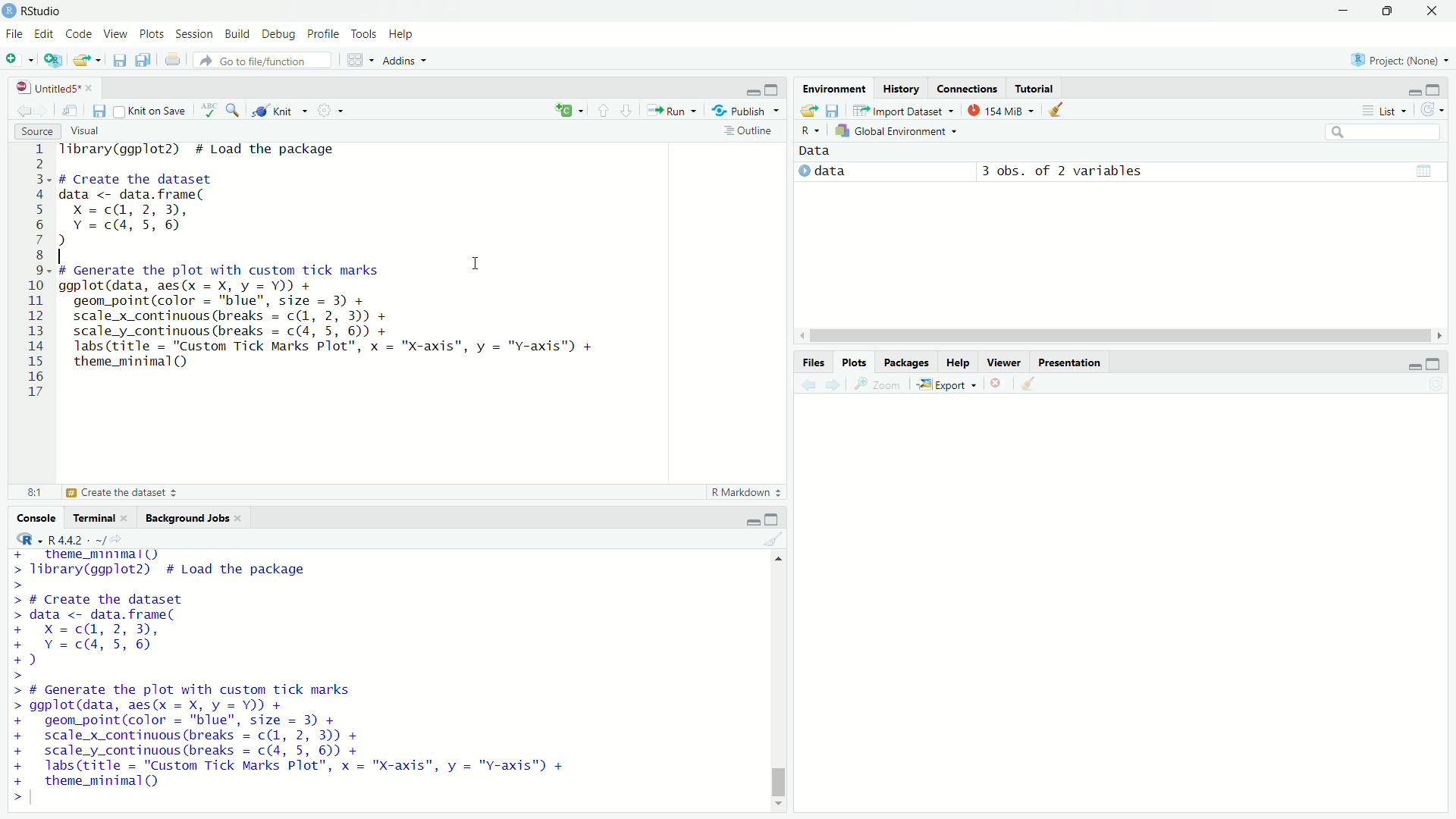  I want to click on profile, so click(323, 34).